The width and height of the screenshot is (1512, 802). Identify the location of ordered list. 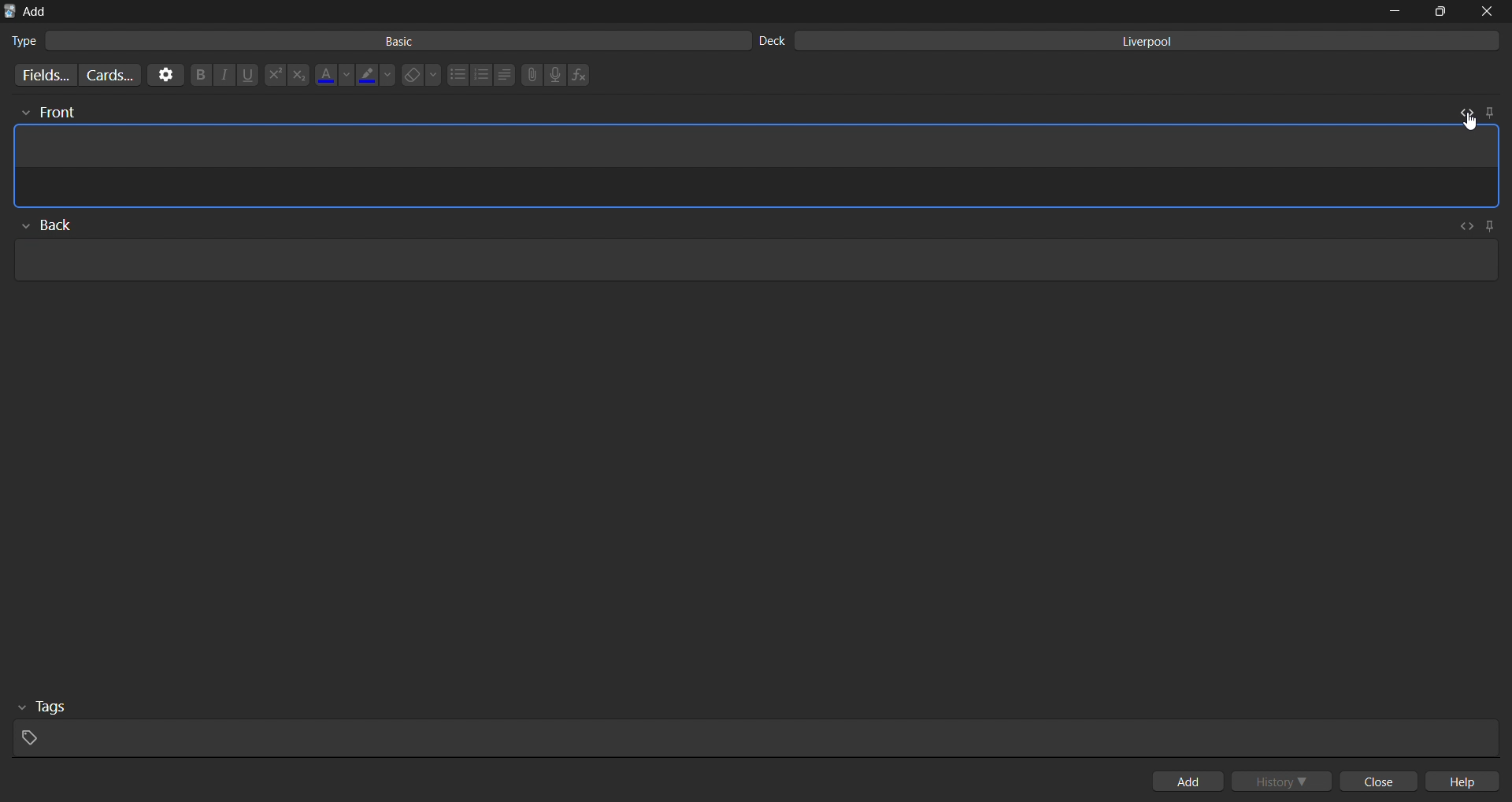
(481, 75).